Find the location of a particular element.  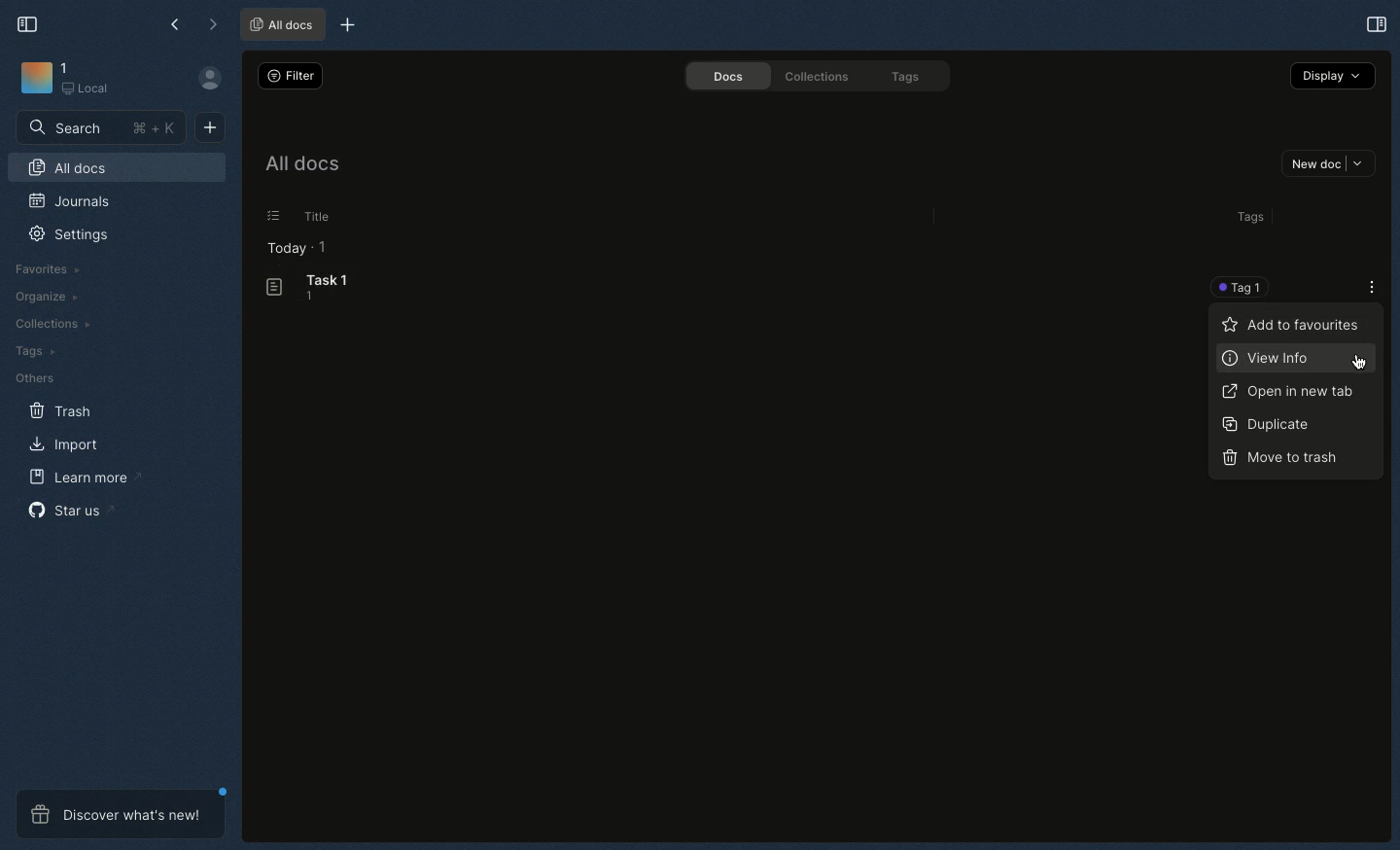

Filter is located at coordinates (292, 77).